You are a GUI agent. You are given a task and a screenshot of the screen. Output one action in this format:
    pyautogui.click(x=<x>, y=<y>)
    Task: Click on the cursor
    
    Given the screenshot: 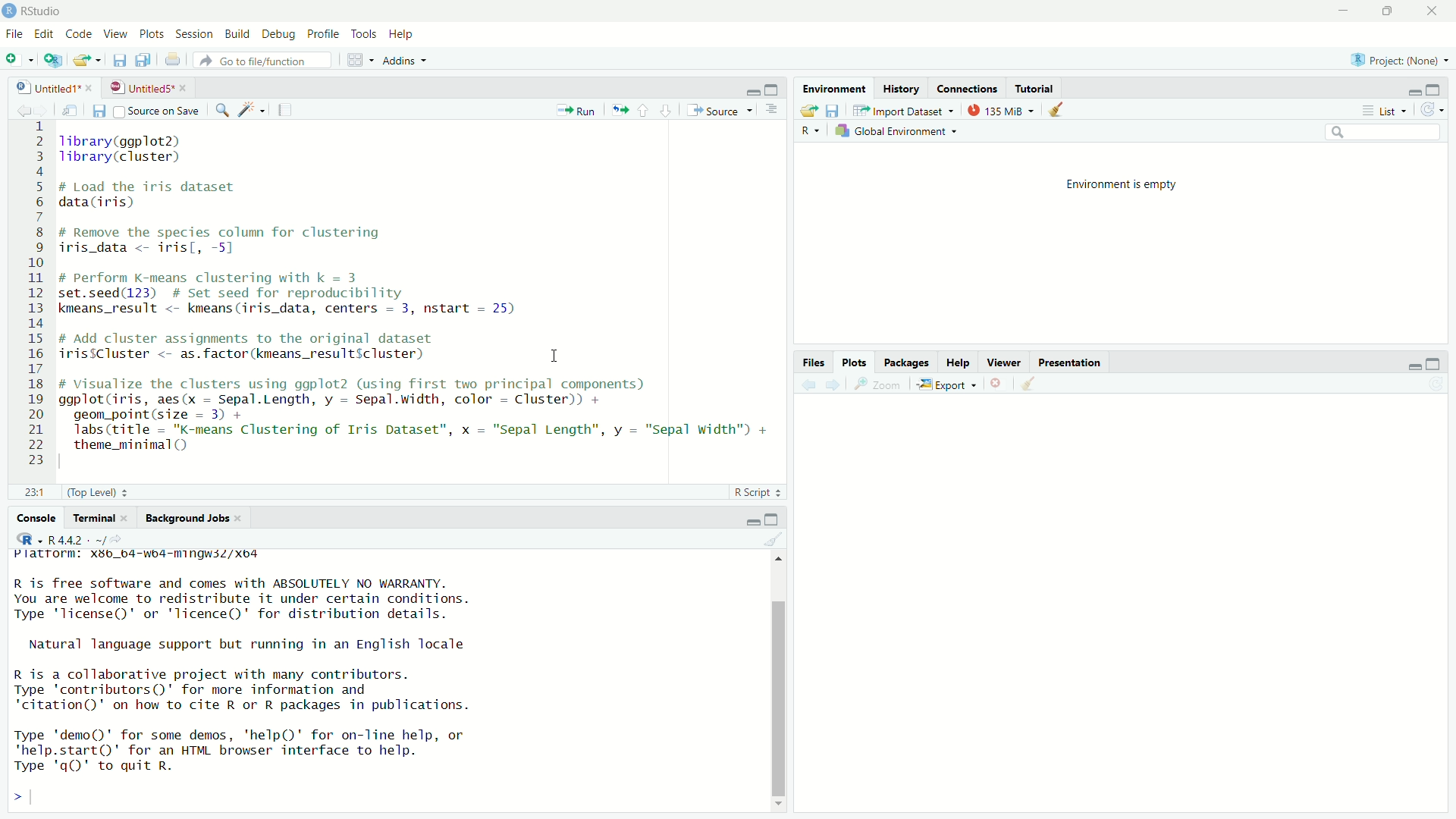 What is the action you would take?
    pyautogui.click(x=551, y=353)
    